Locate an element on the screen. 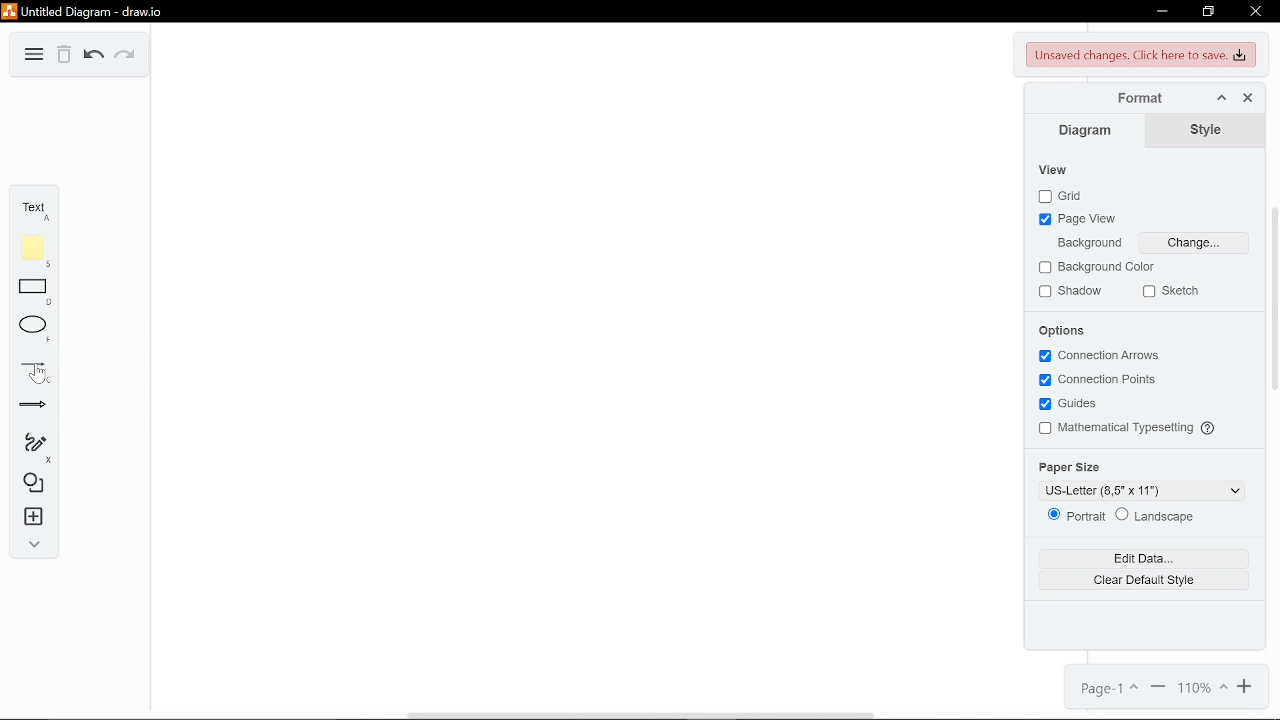 The height and width of the screenshot is (720, 1280). Portrait is located at coordinates (1077, 515).